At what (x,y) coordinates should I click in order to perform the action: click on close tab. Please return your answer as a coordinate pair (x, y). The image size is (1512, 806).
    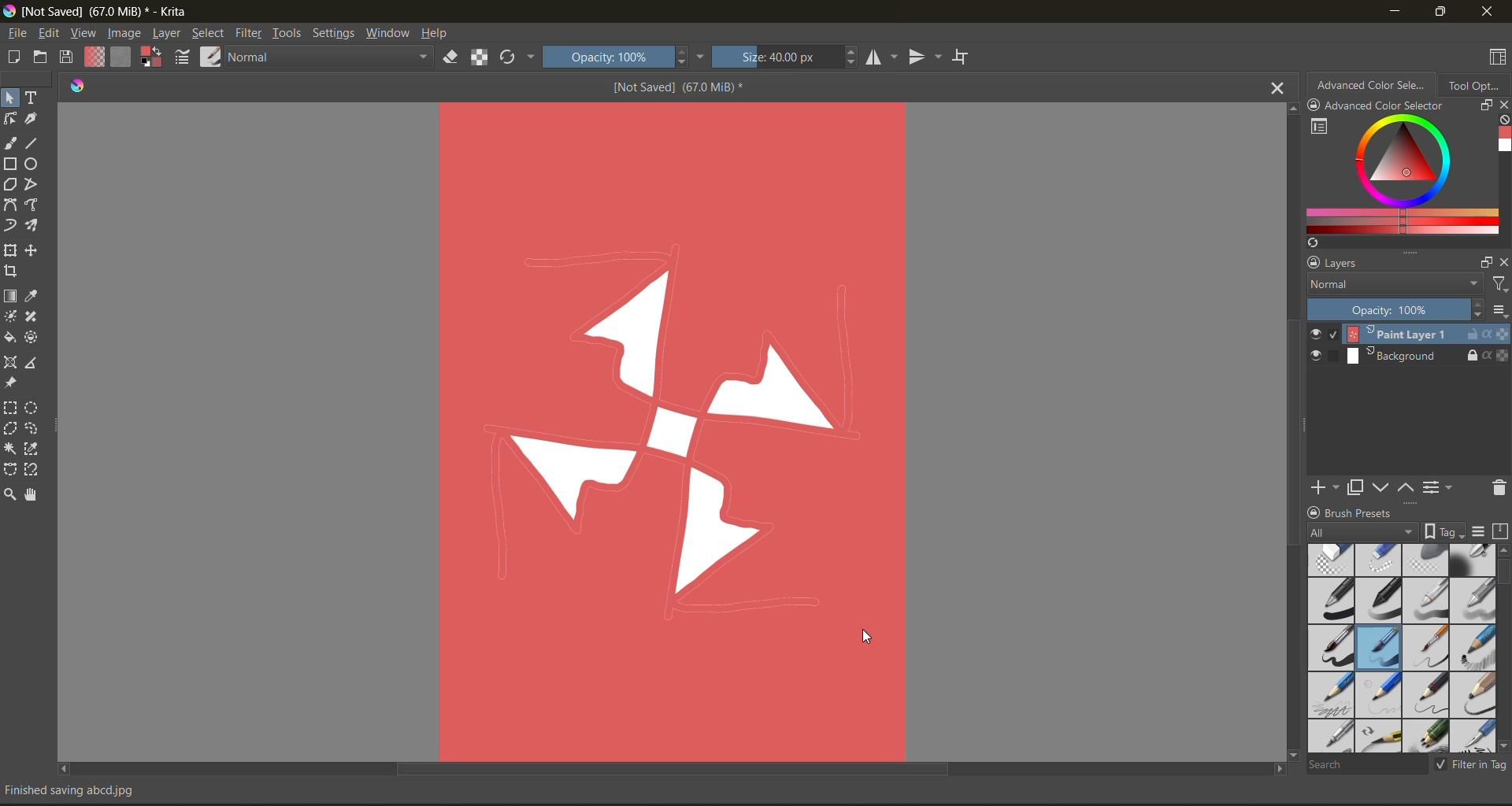
    Looking at the image, I should click on (1273, 91).